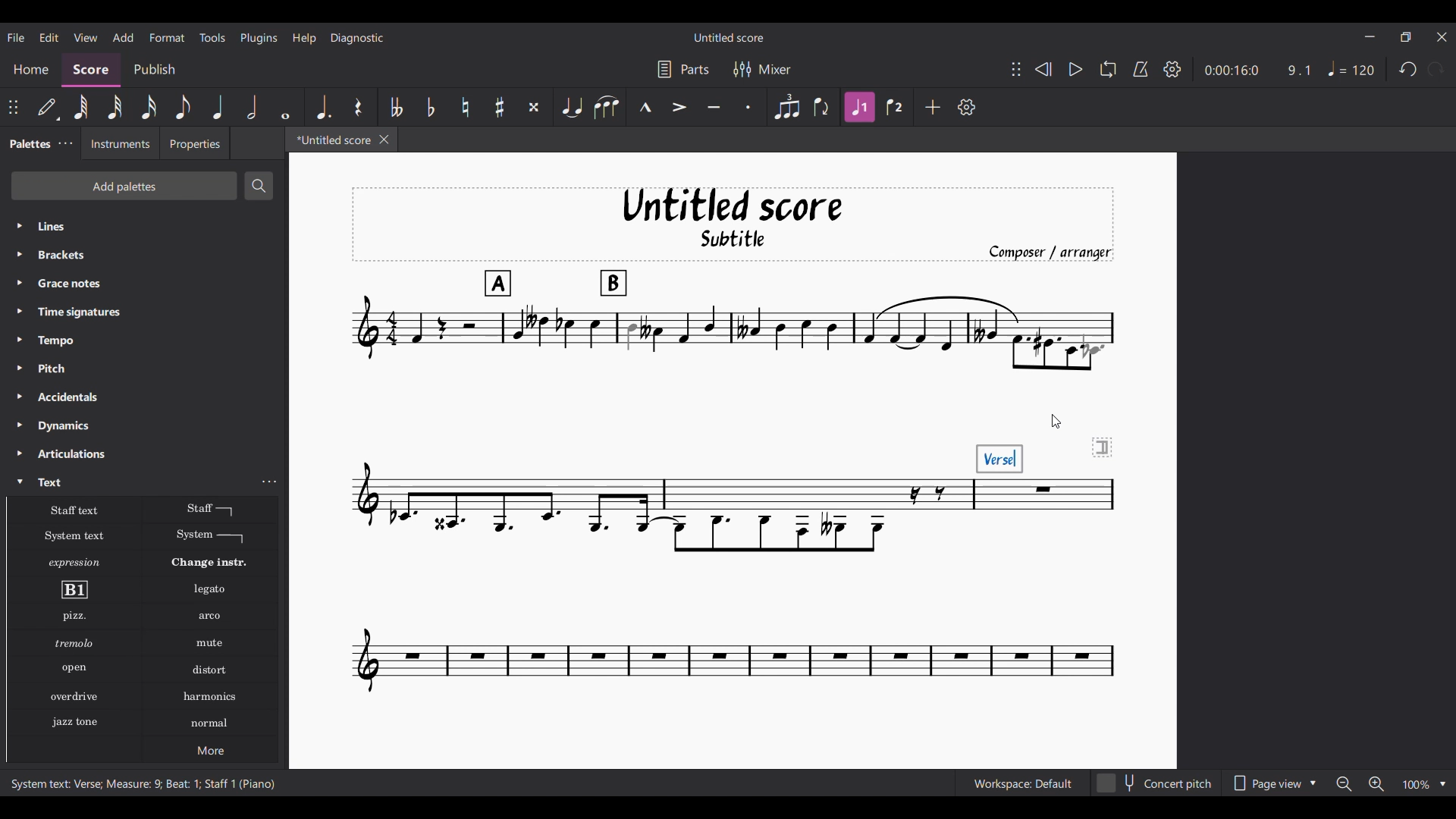  Describe the element at coordinates (1155, 783) in the screenshot. I see `Concert pitch toggle` at that location.